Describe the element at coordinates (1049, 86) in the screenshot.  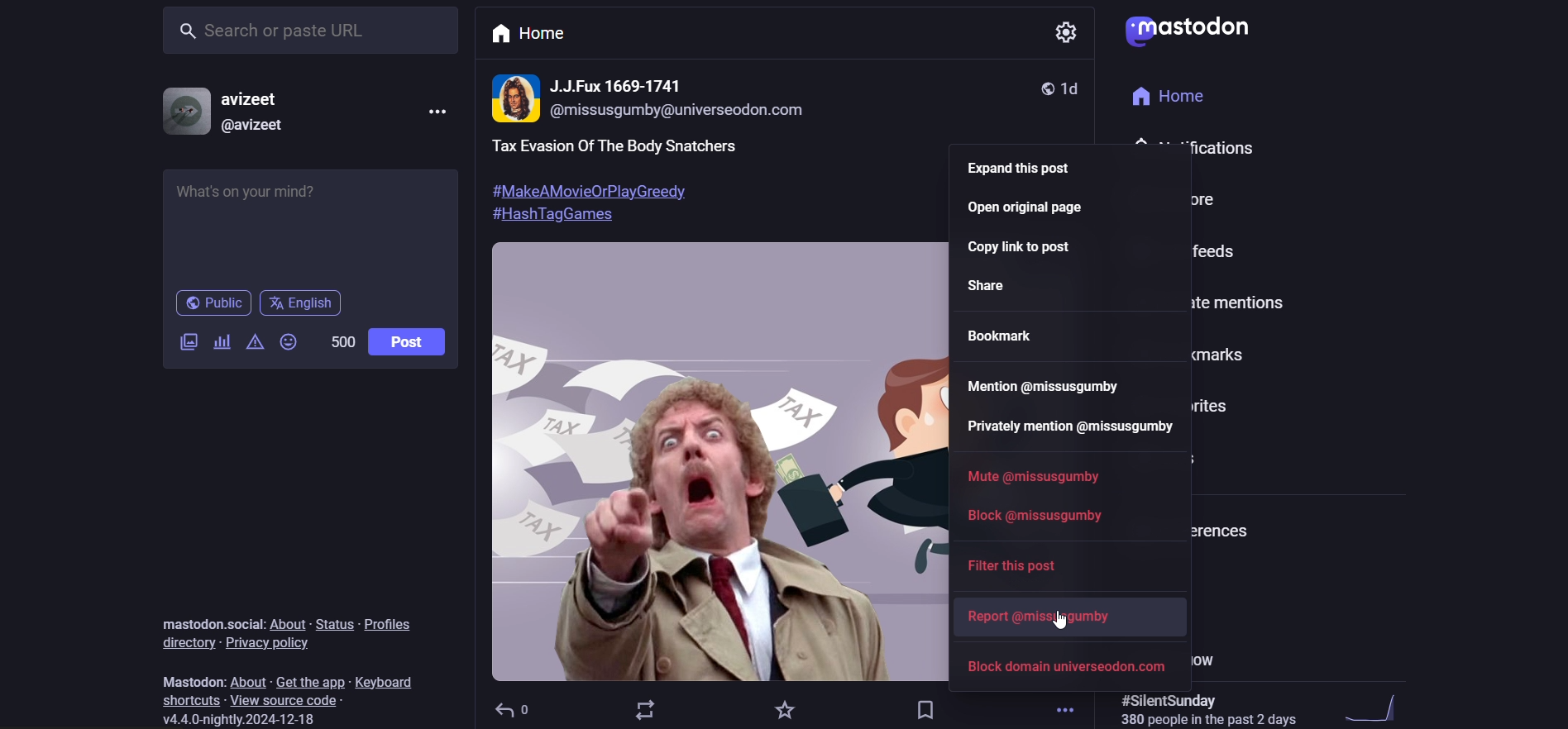
I see `public` at that location.